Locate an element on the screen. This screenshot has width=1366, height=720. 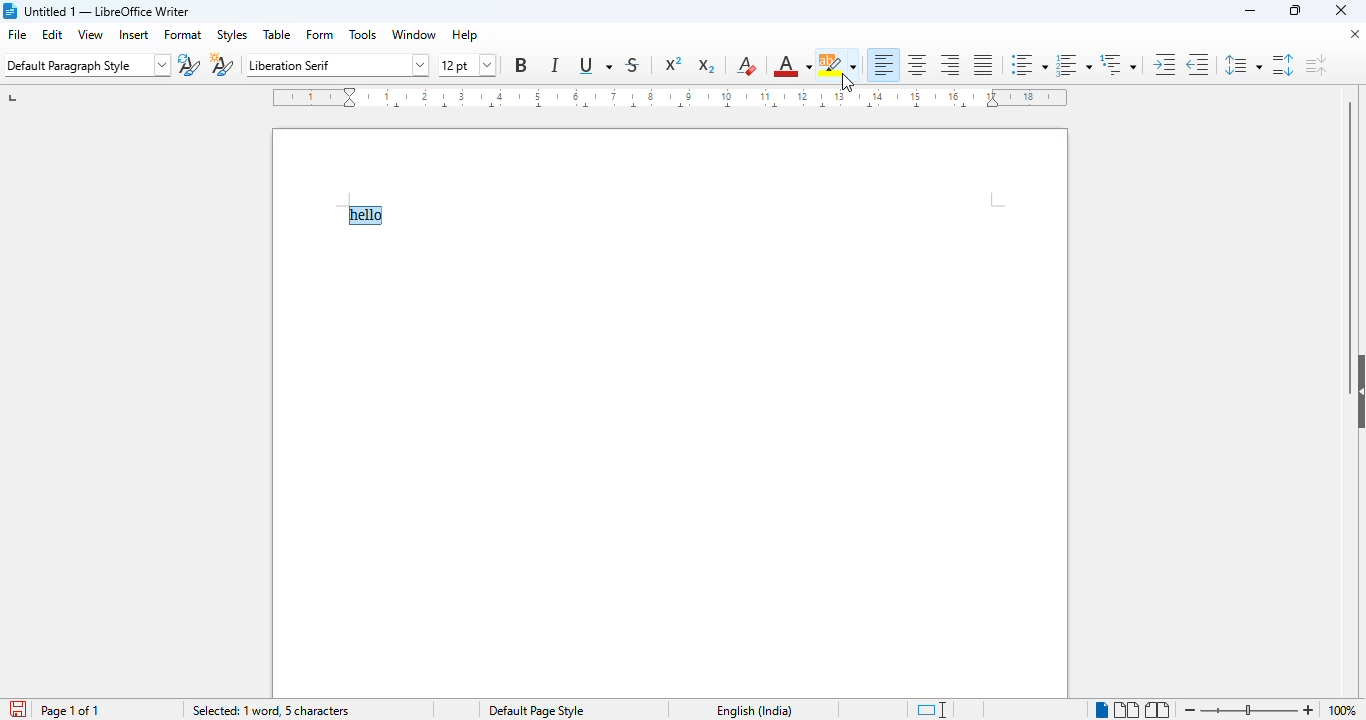
close is located at coordinates (1347, 35).